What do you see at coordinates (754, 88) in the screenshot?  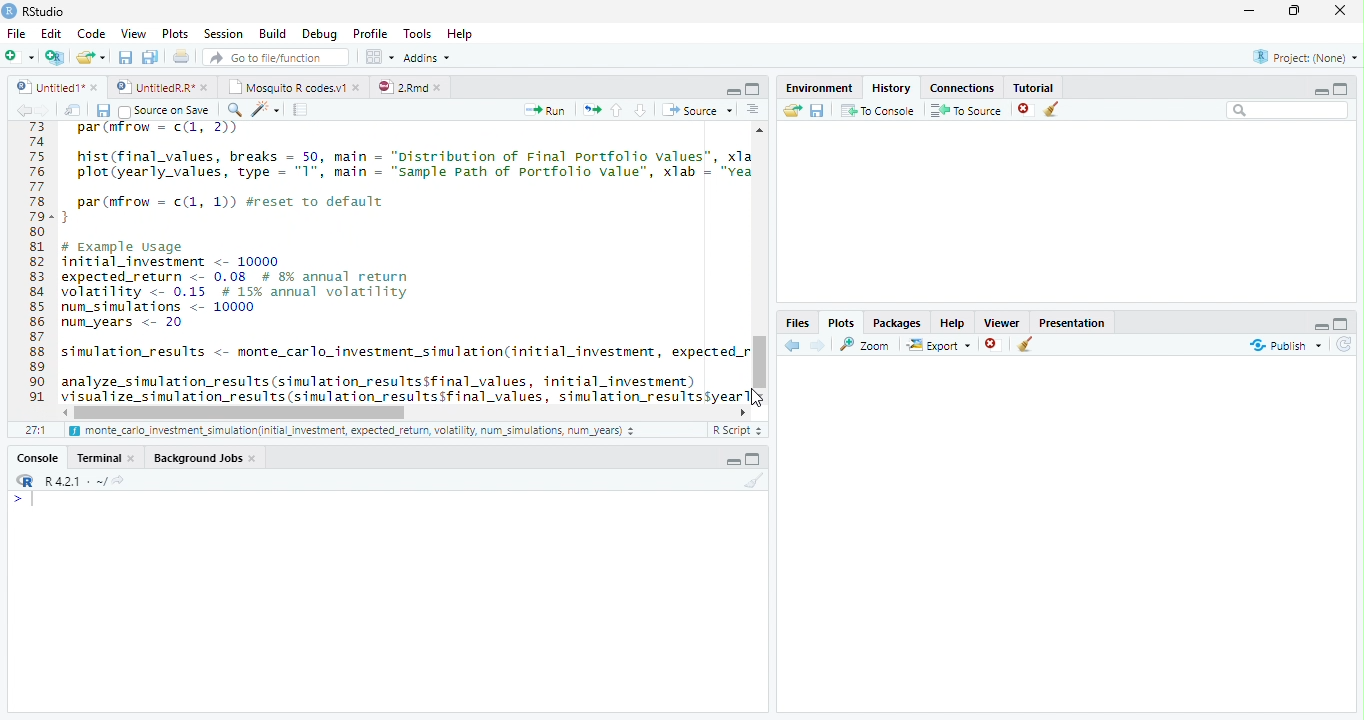 I see `Full Height` at bounding box center [754, 88].